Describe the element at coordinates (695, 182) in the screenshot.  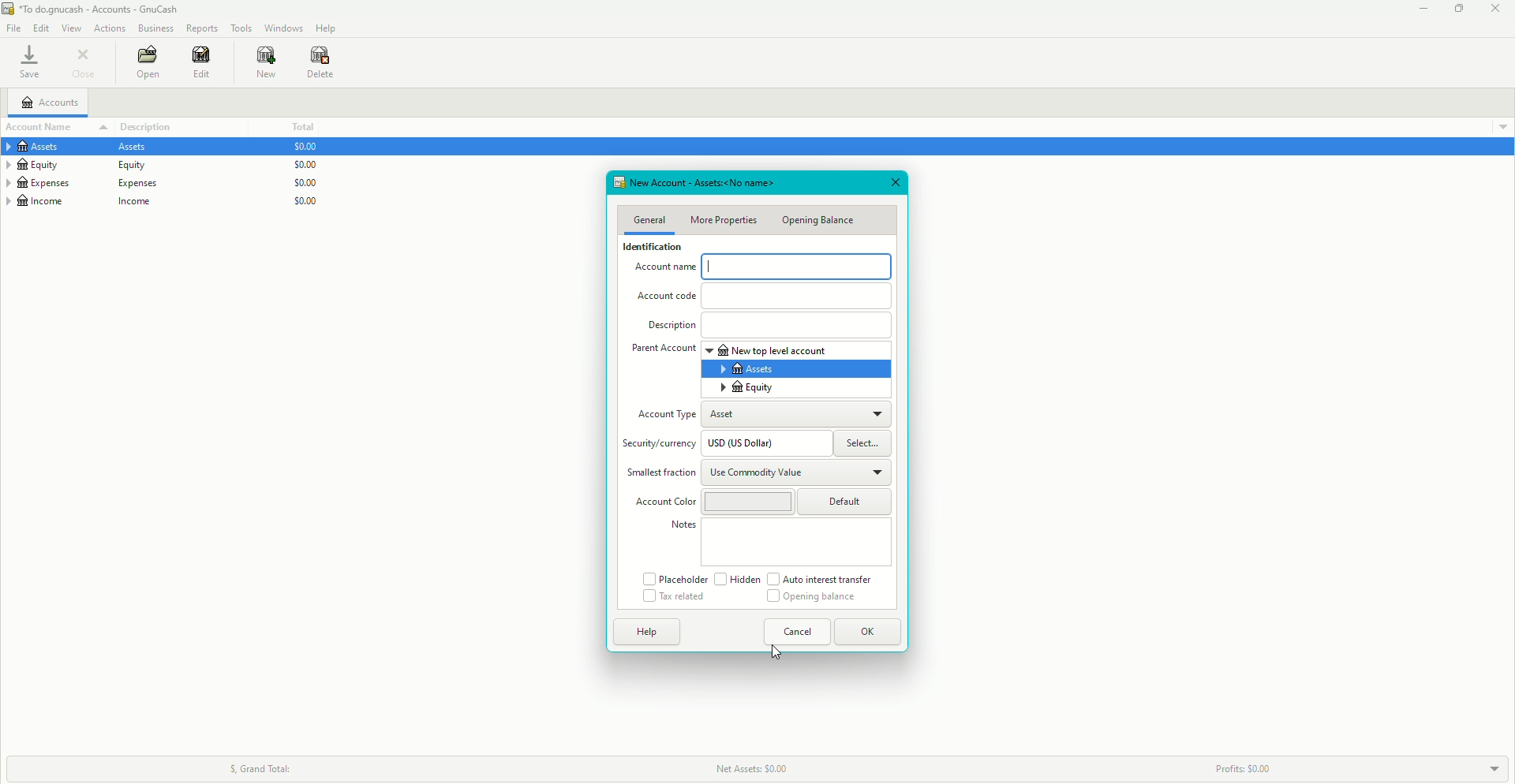
I see `New Account` at that location.